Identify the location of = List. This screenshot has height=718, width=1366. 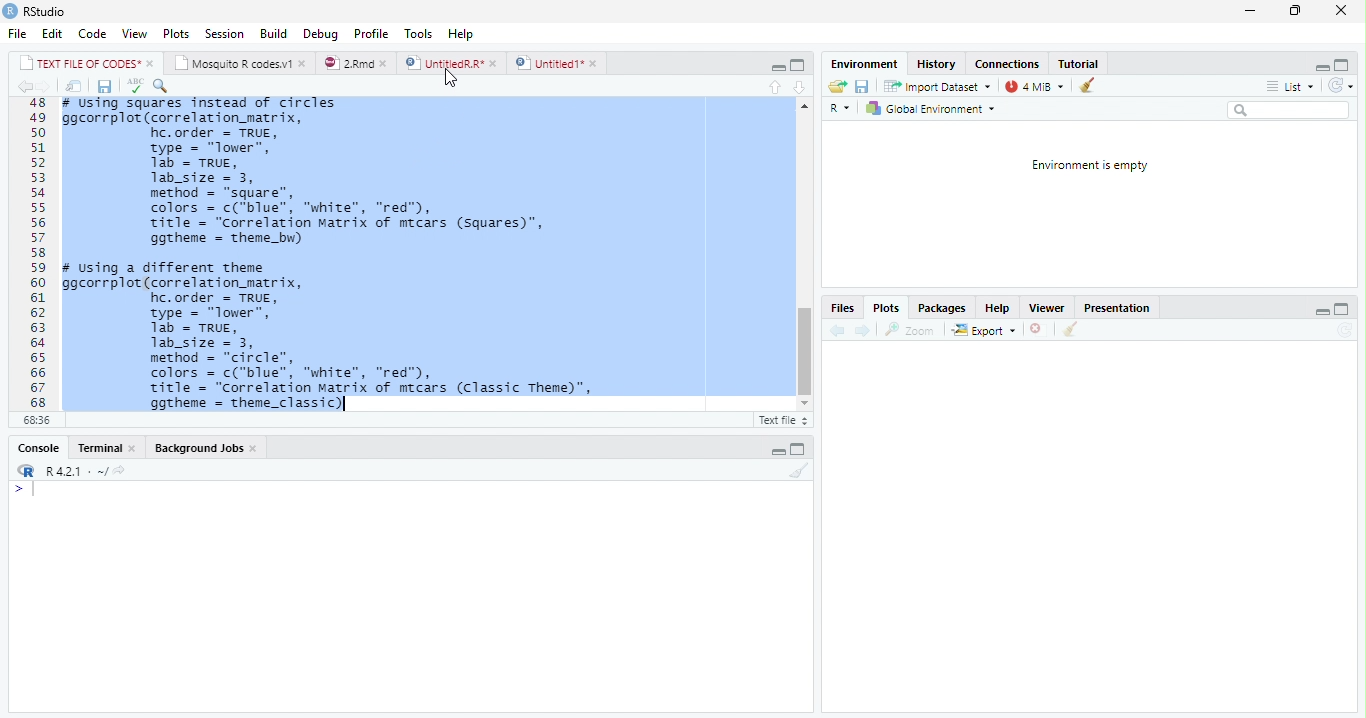
(1292, 87).